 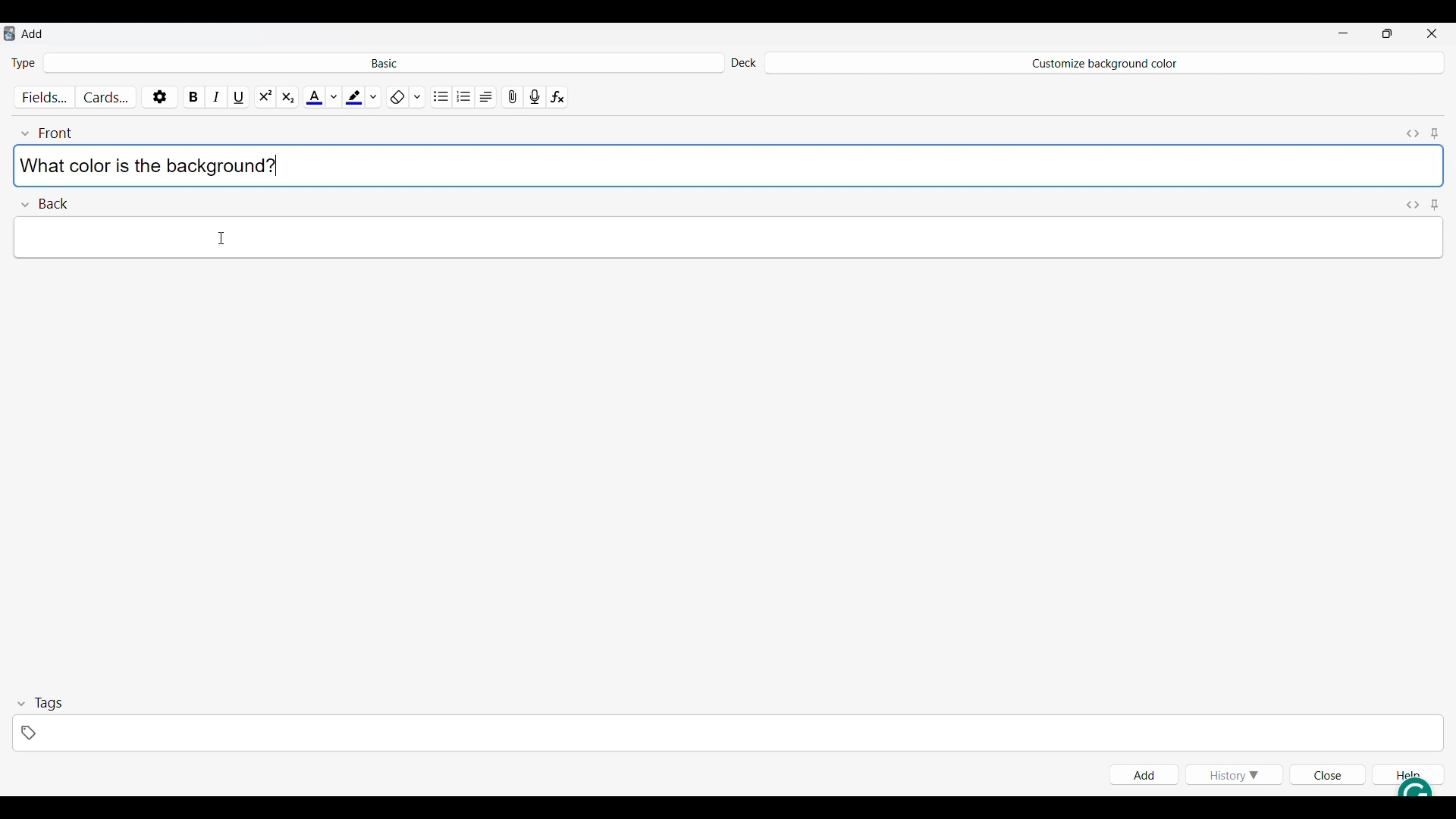 I want to click on Equations, so click(x=557, y=95).